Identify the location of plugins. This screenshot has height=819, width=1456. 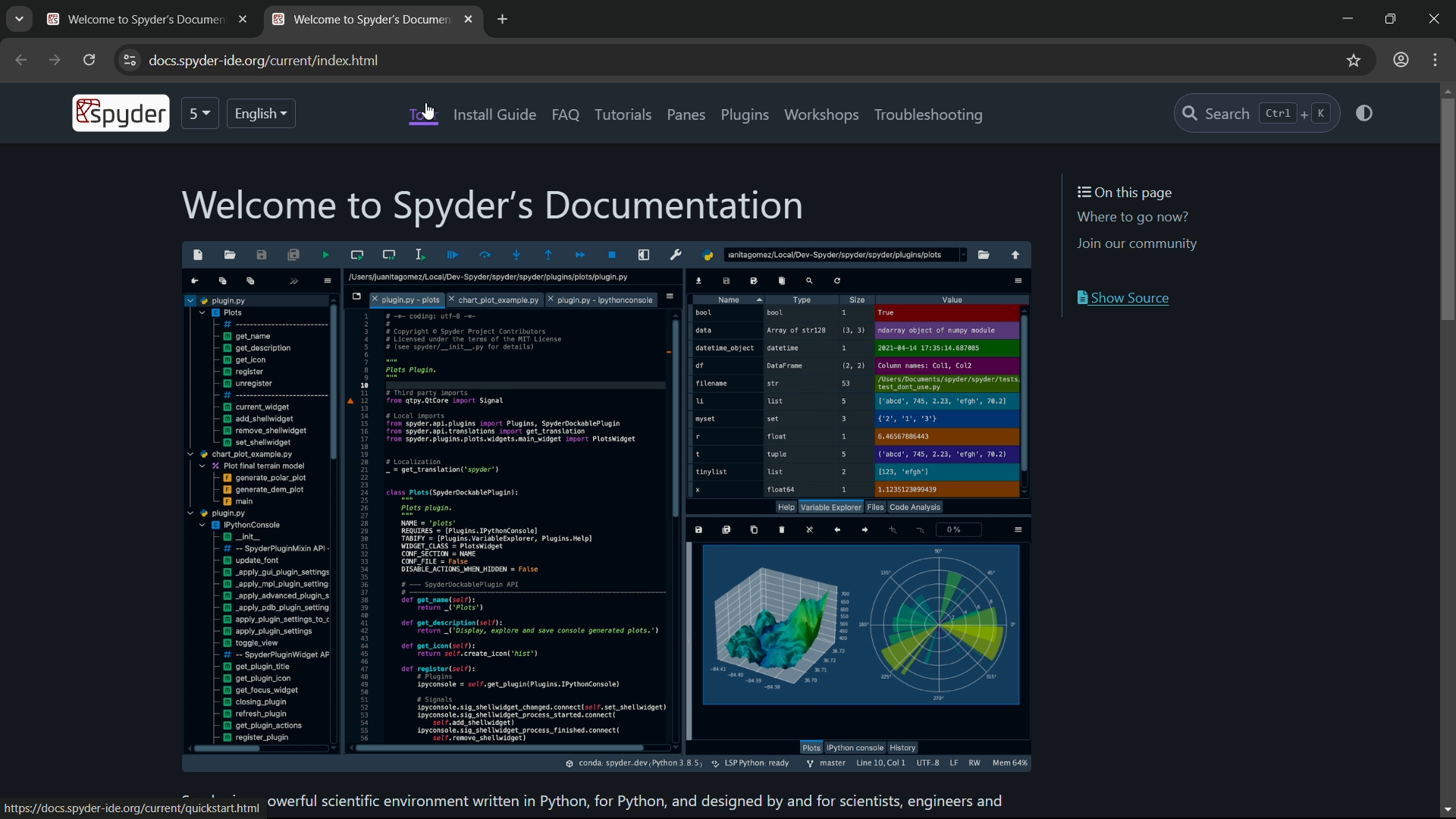
(744, 117).